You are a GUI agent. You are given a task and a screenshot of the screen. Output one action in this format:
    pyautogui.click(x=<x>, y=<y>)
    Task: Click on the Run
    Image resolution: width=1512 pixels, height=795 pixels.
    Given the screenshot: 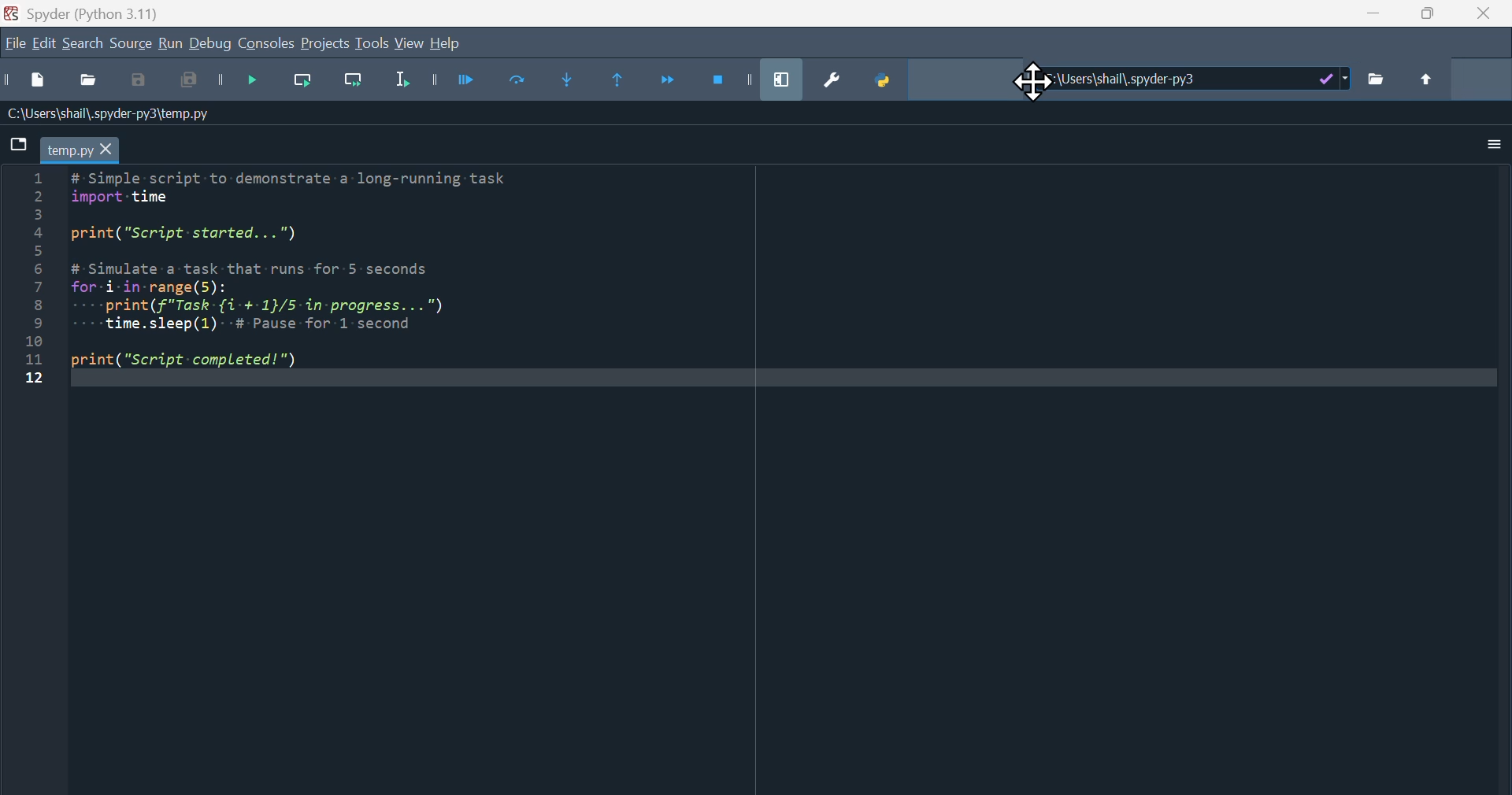 What is the action you would take?
    pyautogui.click(x=169, y=44)
    